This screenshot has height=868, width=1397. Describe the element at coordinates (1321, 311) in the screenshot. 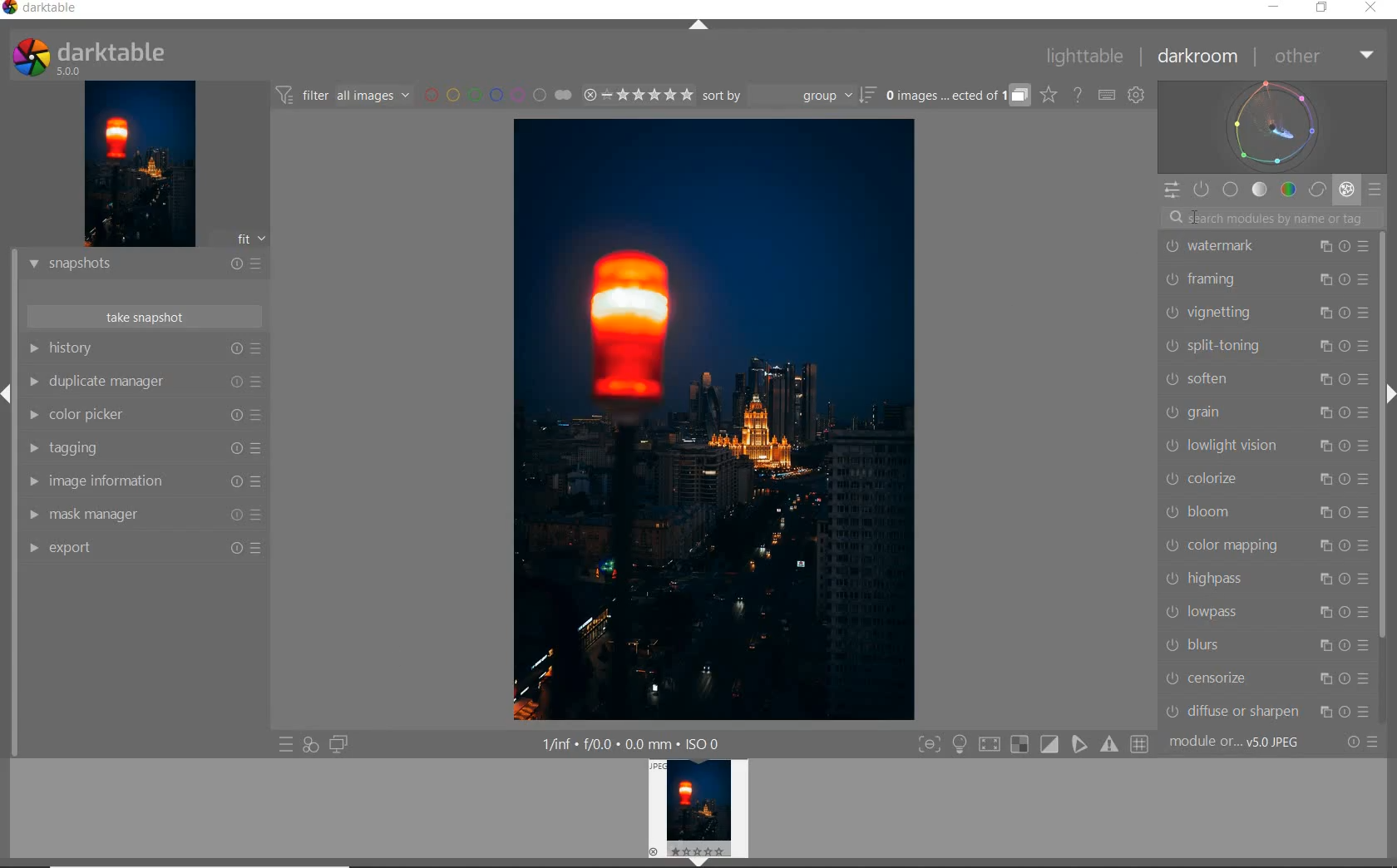

I see `Multiple instance` at that location.